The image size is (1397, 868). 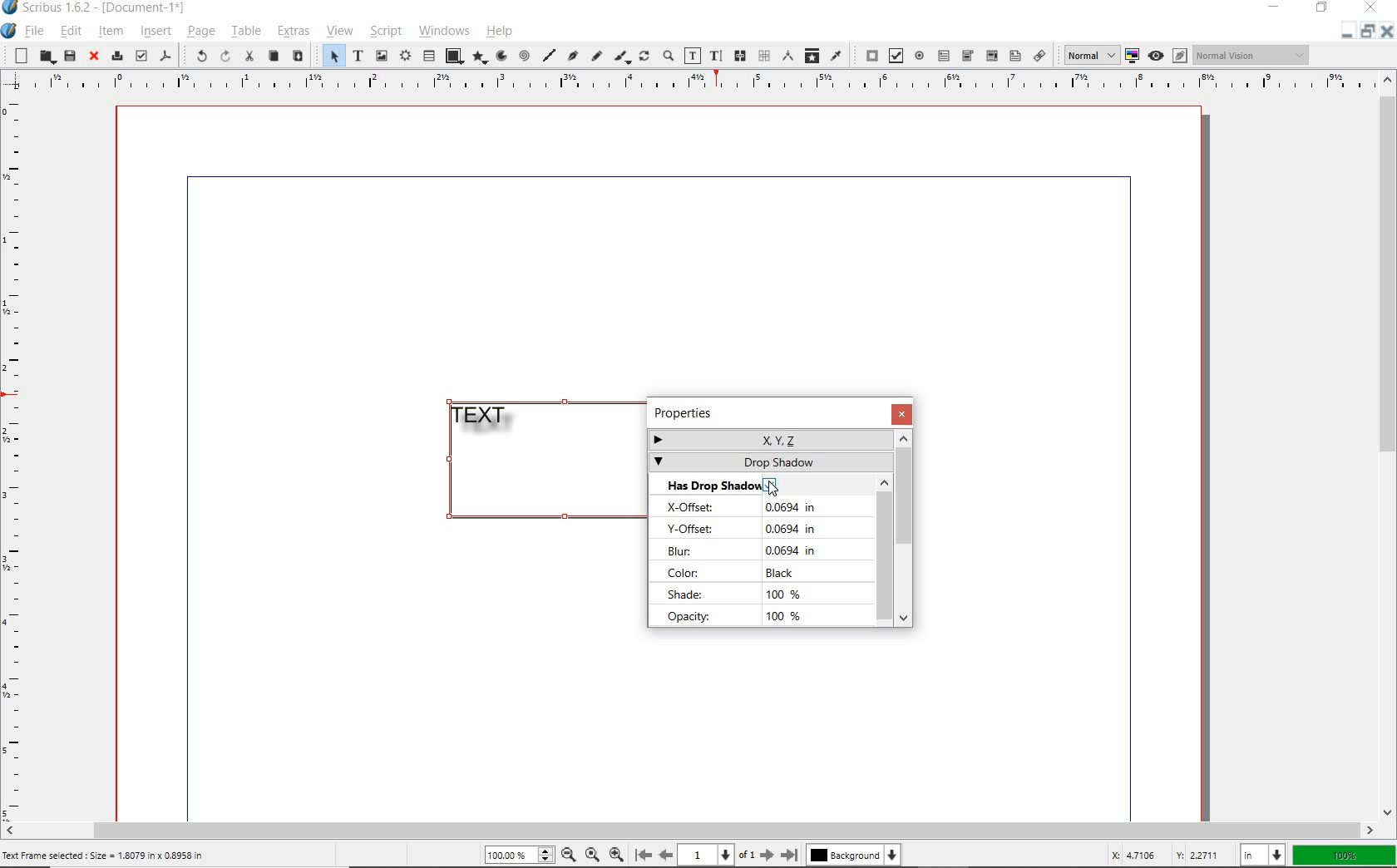 I want to click on arc, so click(x=502, y=56).